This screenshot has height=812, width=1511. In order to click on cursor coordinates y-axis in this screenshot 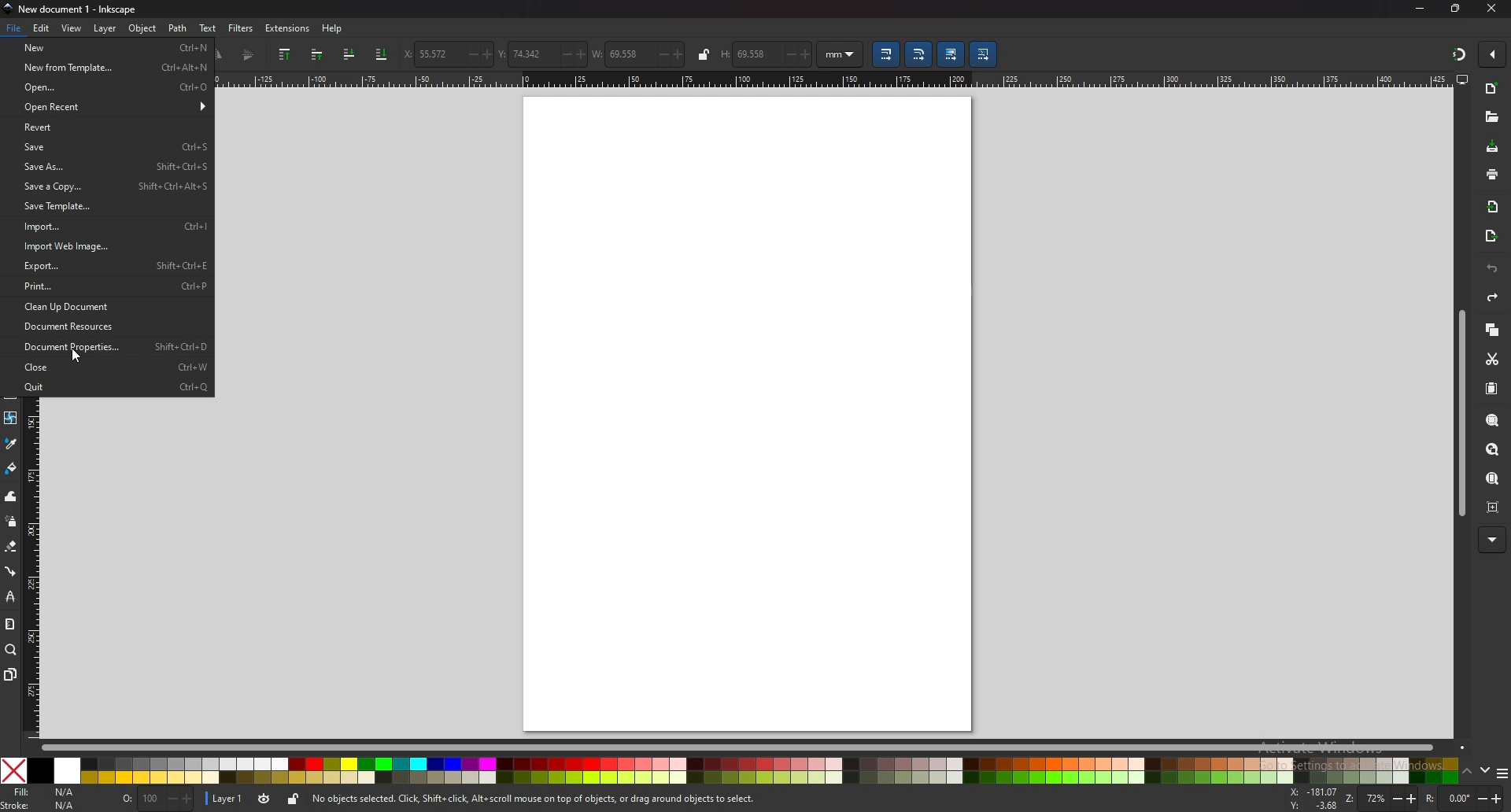, I will do `click(1312, 806)`.